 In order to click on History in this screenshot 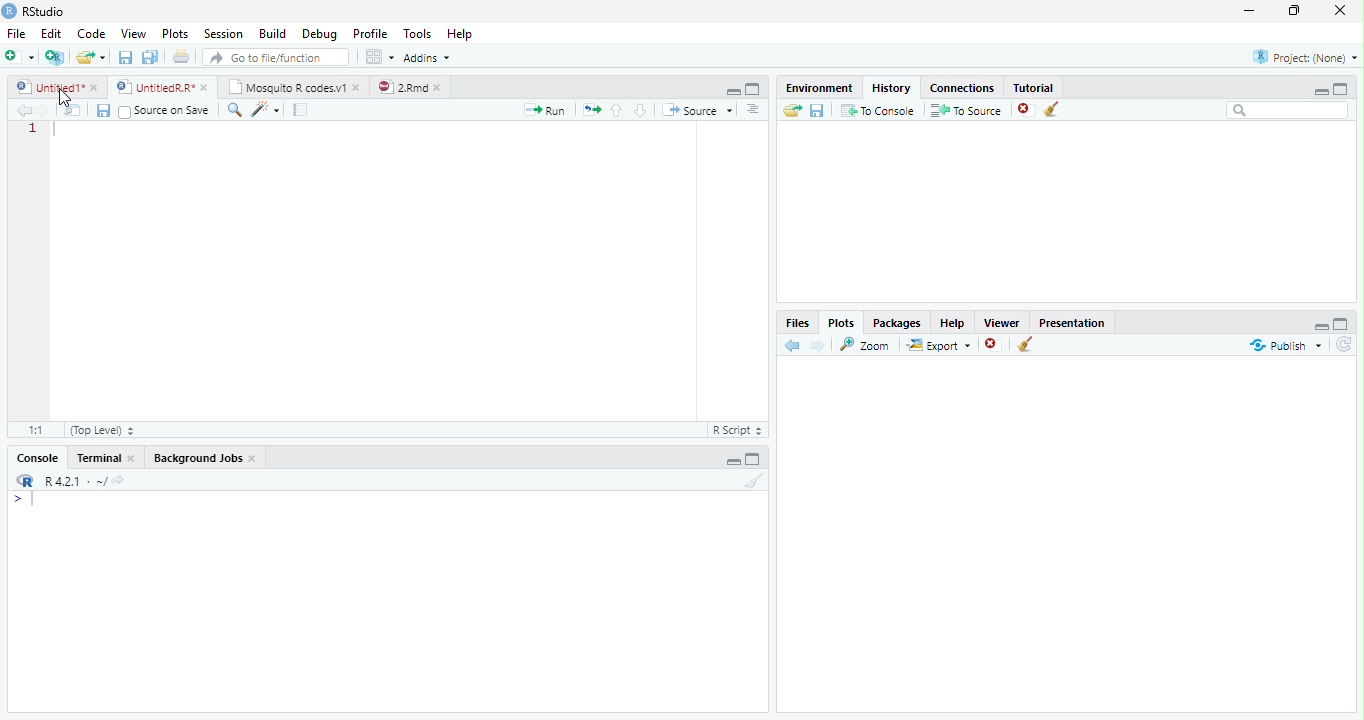, I will do `click(890, 86)`.